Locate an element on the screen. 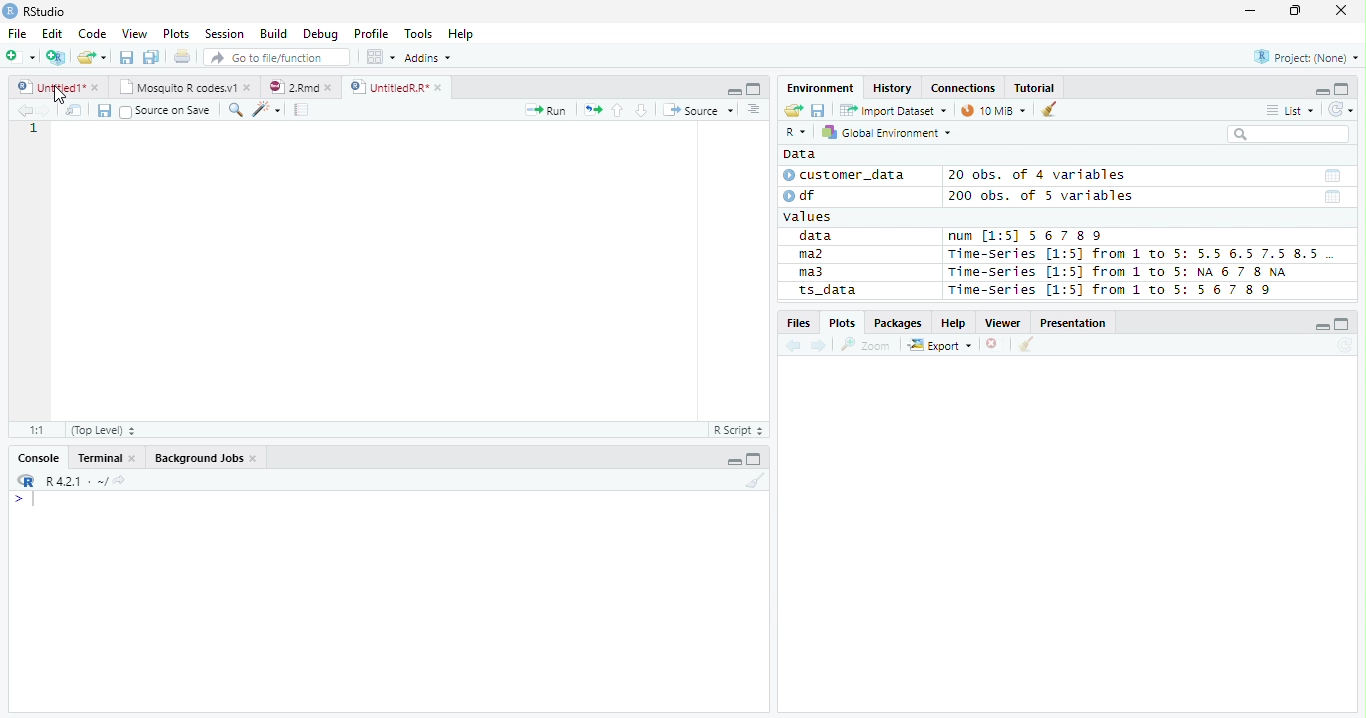 The height and width of the screenshot is (718, 1366). Presentation is located at coordinates (1076, 323).